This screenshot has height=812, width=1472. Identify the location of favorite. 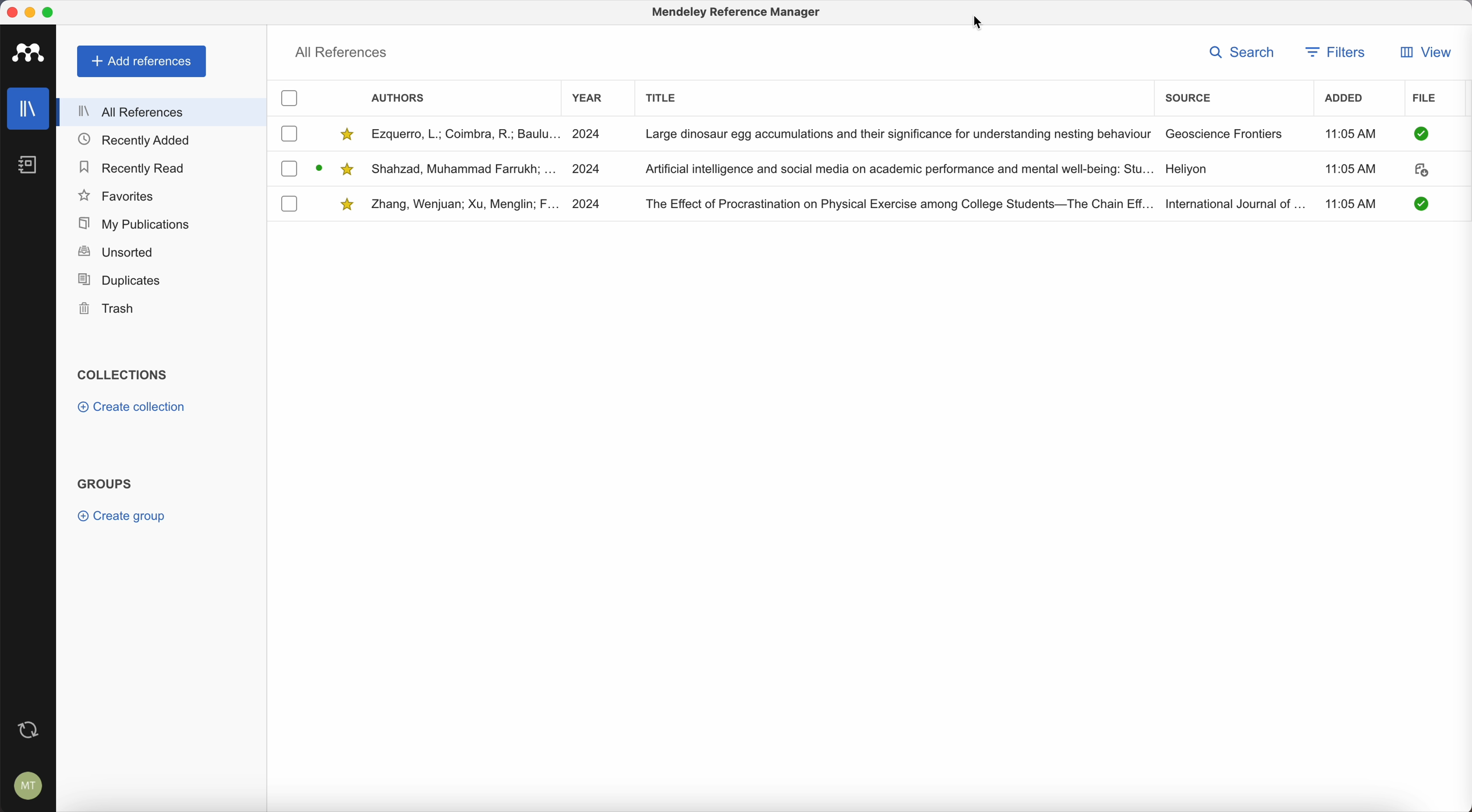
(348, 135).